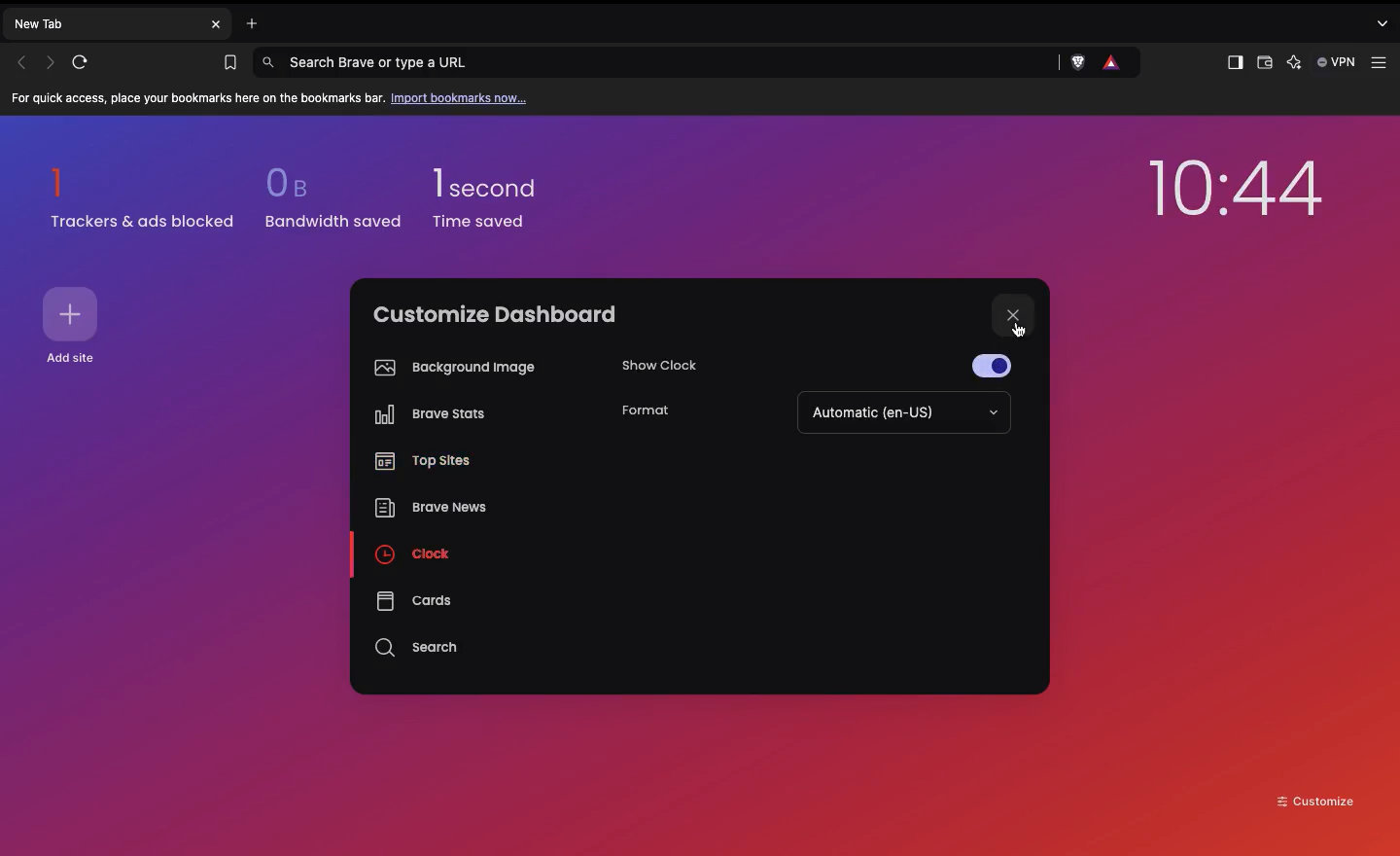  What do you see at coordinates (1338, 62) in the screenshot?
I see `VPN` at bounding box center [1338, 62].